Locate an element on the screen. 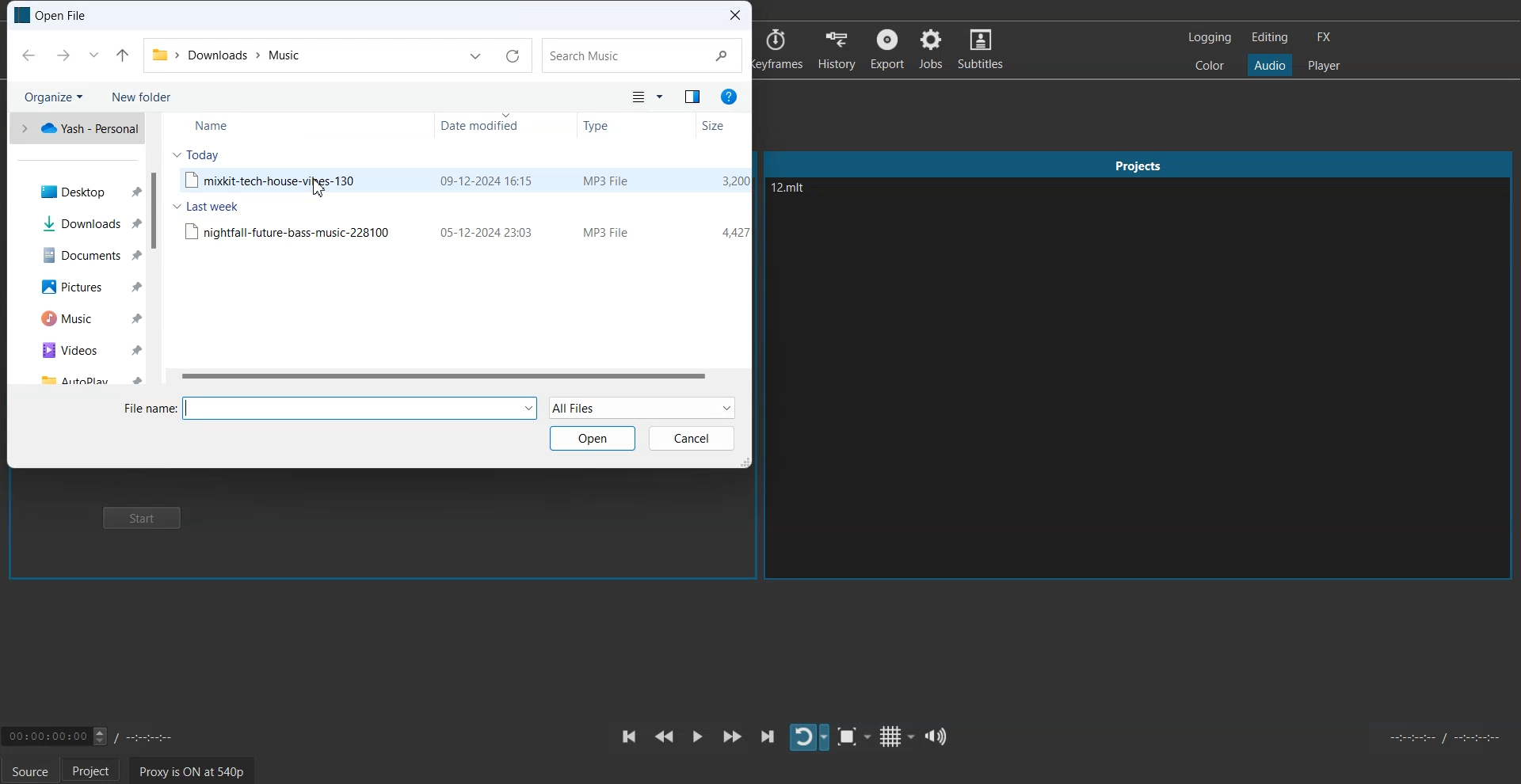 The height and width of the screenshot is (784, 1521). Show the volume control is located at coordinates (937, 736).